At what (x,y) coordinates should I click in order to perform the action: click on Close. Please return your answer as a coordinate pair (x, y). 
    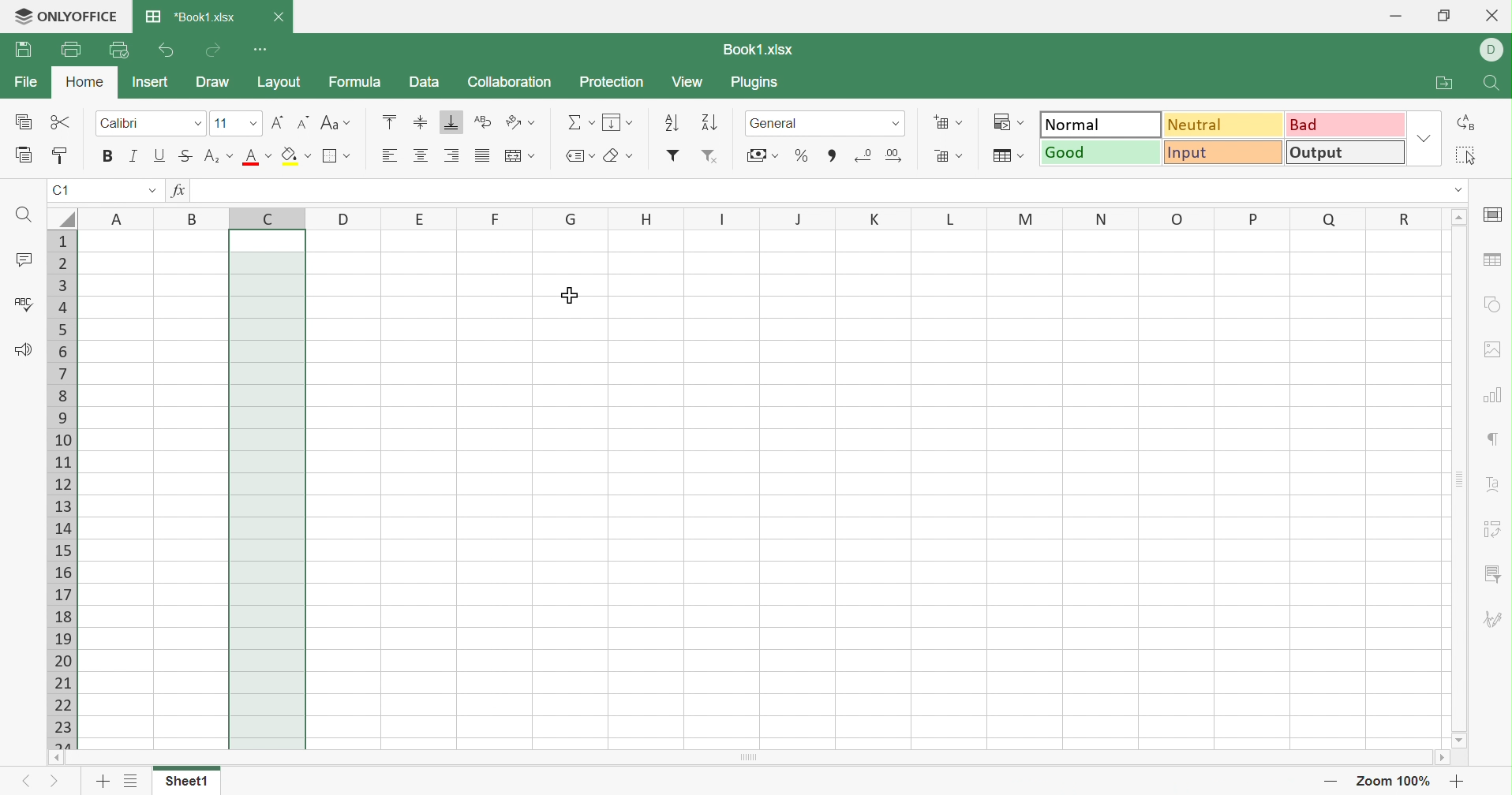
    Looking at the image, I should click on (1491, 15).